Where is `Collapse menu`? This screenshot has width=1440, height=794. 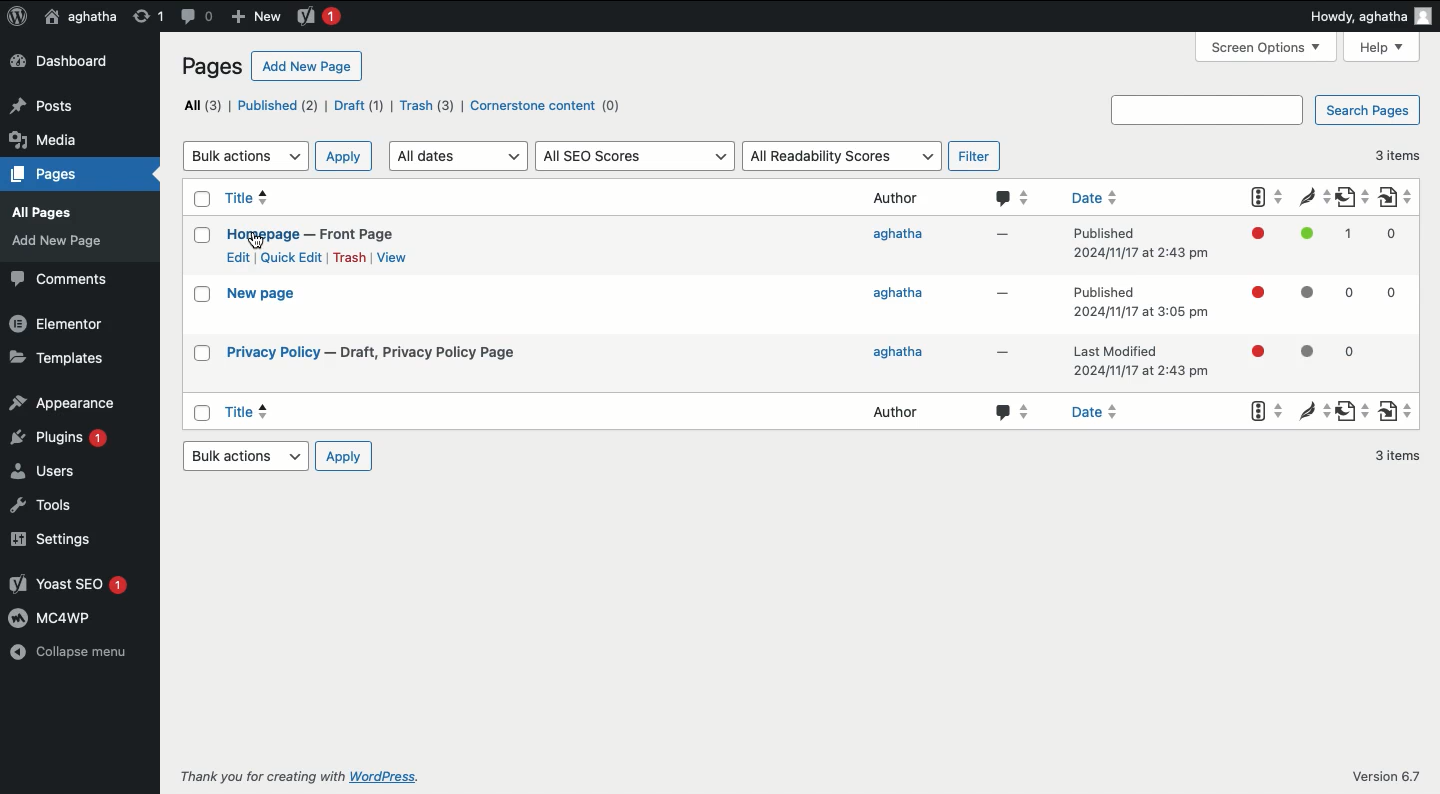
Collapse menu is located at coordinates (68, 652).